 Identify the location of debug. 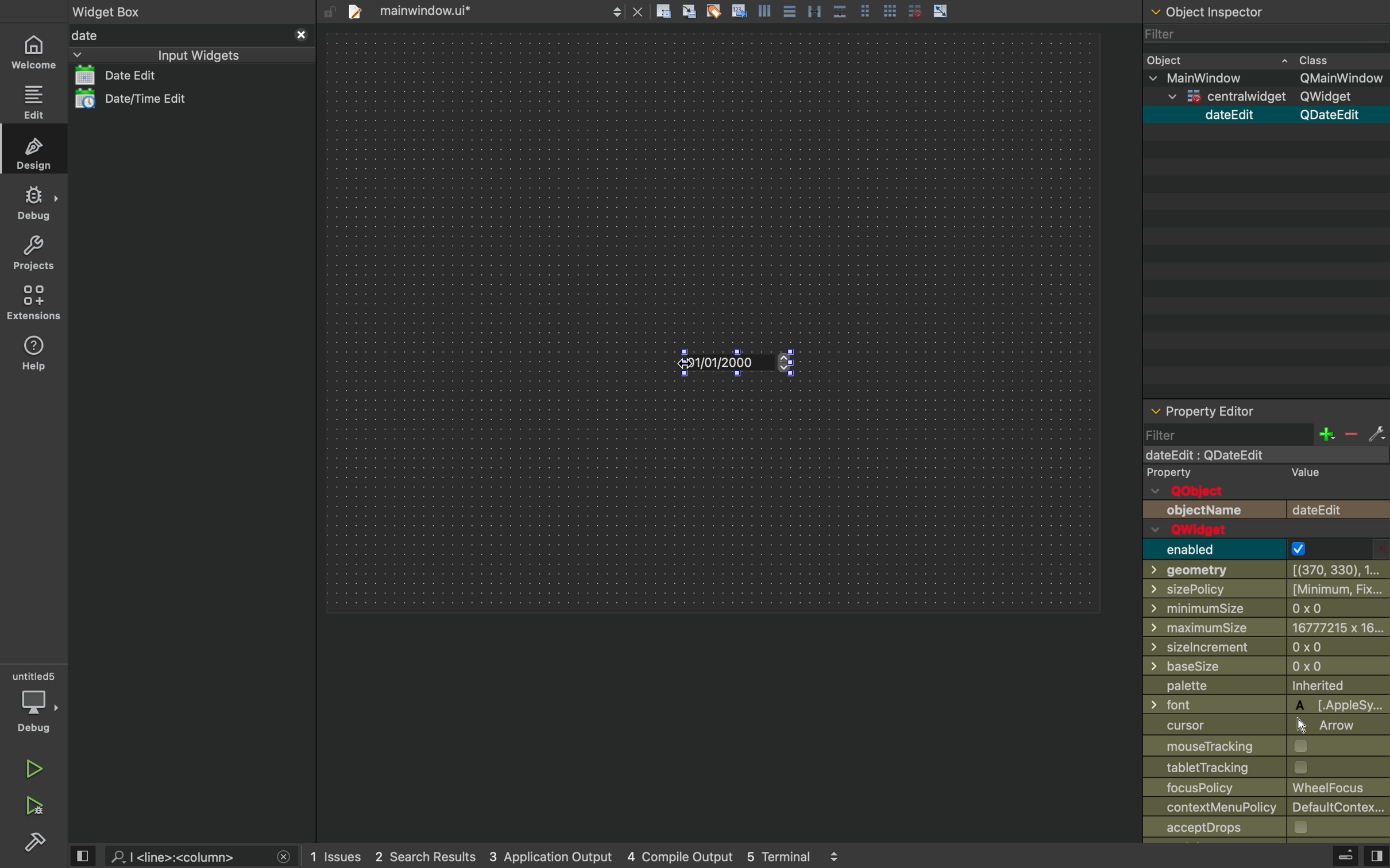
(34, 702).